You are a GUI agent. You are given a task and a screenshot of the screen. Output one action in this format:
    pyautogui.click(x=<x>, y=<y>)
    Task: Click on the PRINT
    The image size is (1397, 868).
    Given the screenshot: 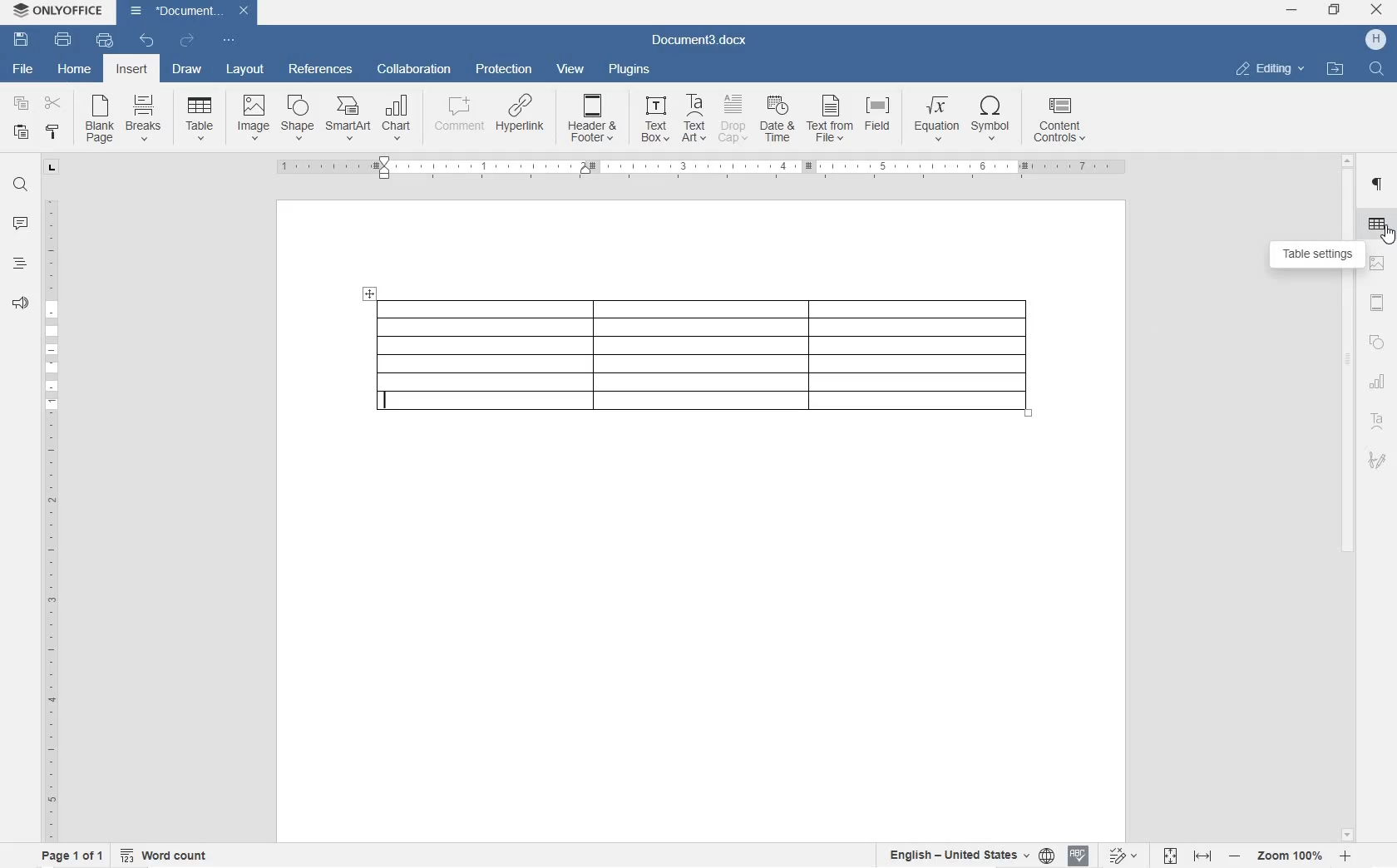 What is the action you would take?
    pyautogui.click(x=62, y=40)
    